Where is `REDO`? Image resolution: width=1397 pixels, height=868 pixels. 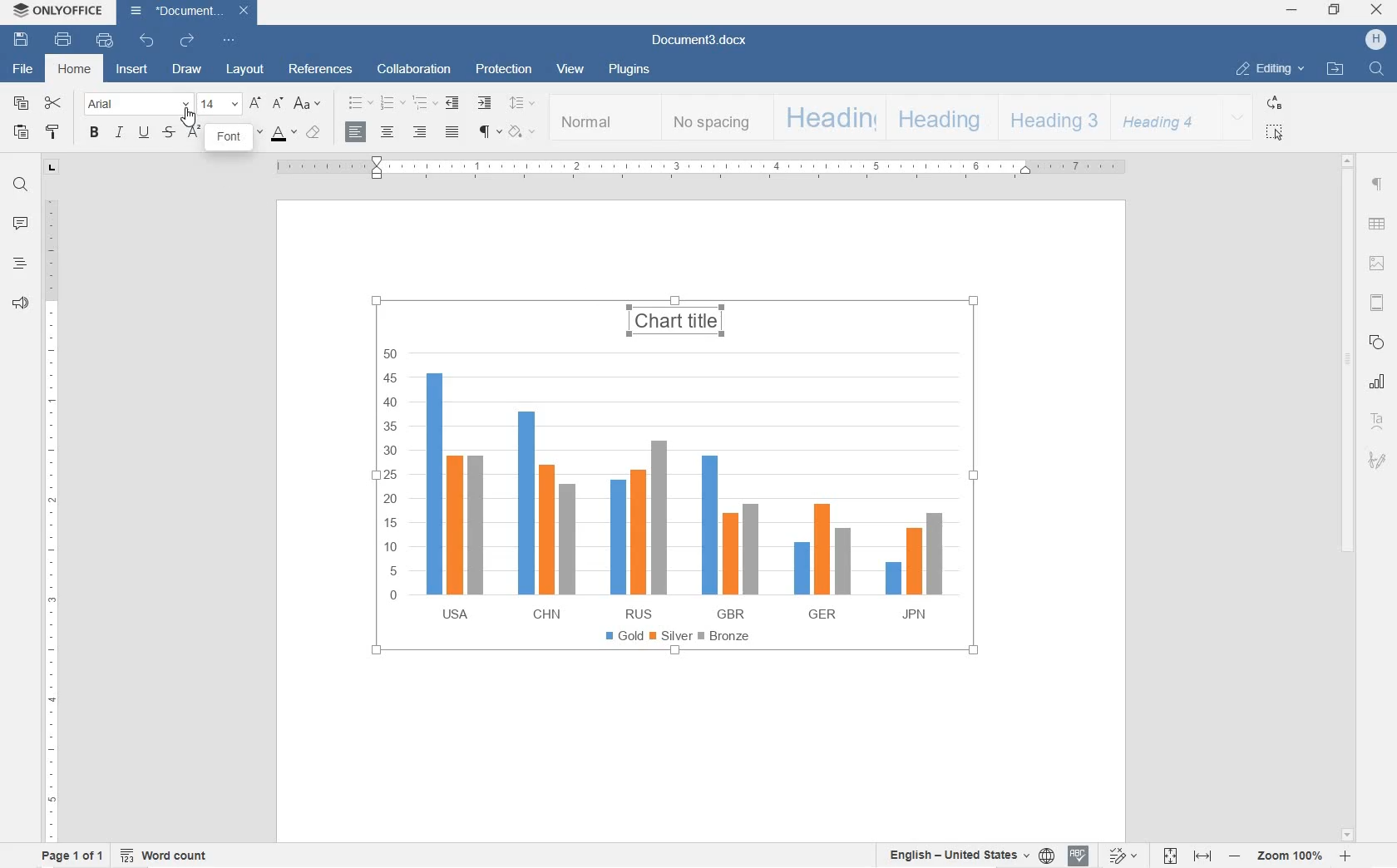 REDO is located at coordinates (188, 40).